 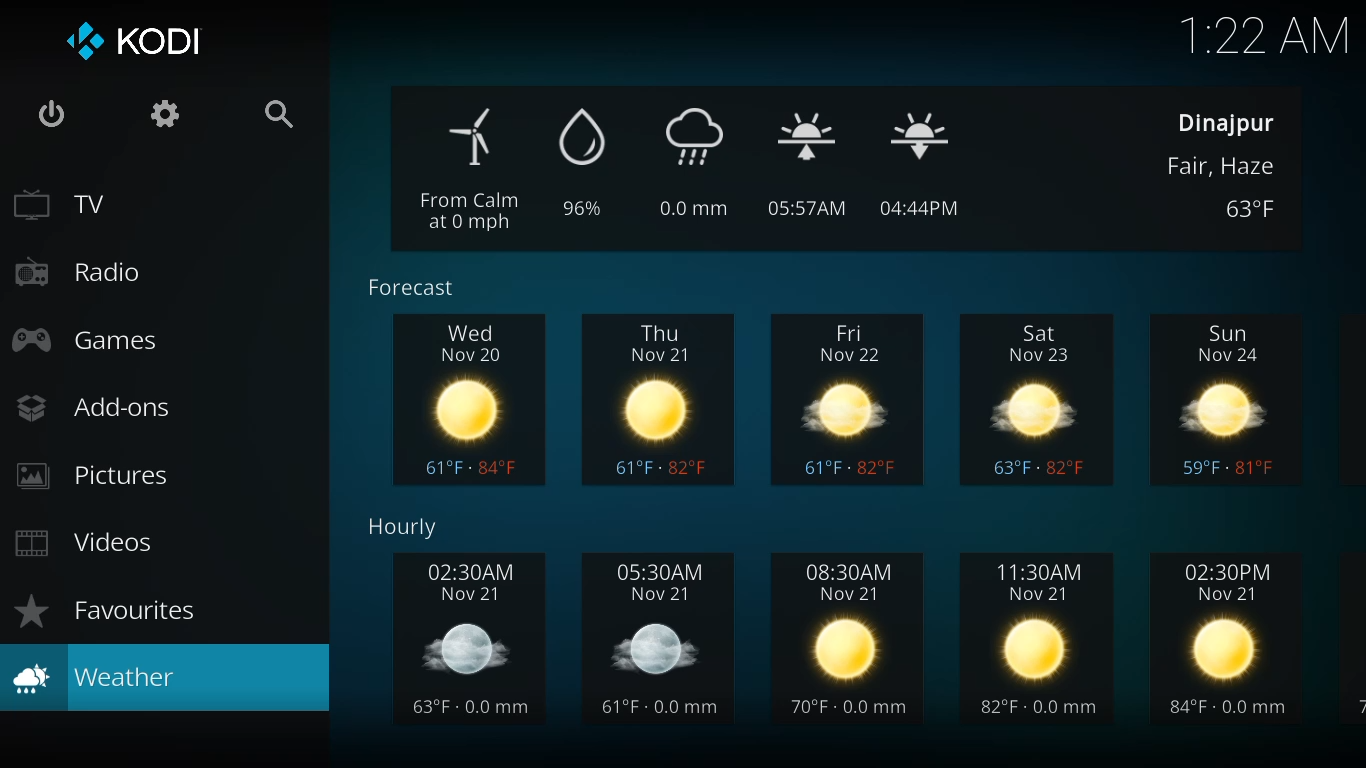 I want to click on pictures, so click(x=95, y=477).